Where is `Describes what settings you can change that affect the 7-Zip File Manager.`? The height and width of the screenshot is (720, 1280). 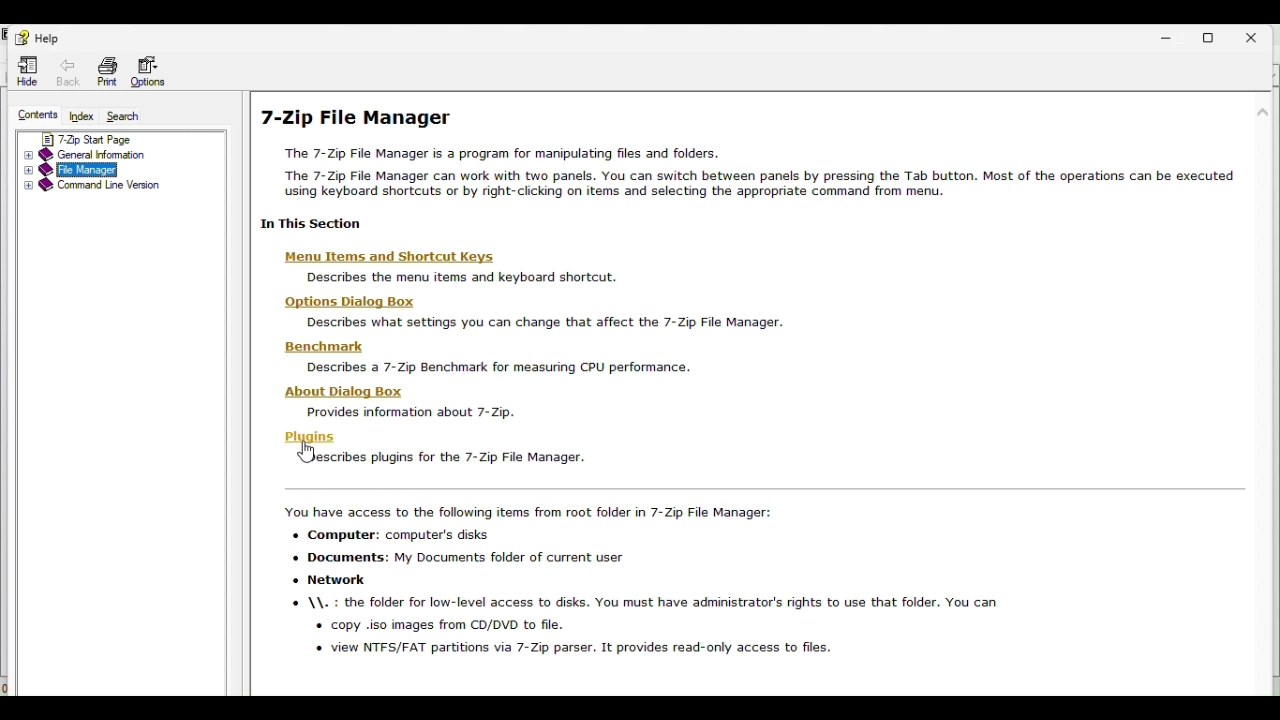
Describes what settings you can change that affect the 7-Zip File Manager. is located at coordinates (537, 323).